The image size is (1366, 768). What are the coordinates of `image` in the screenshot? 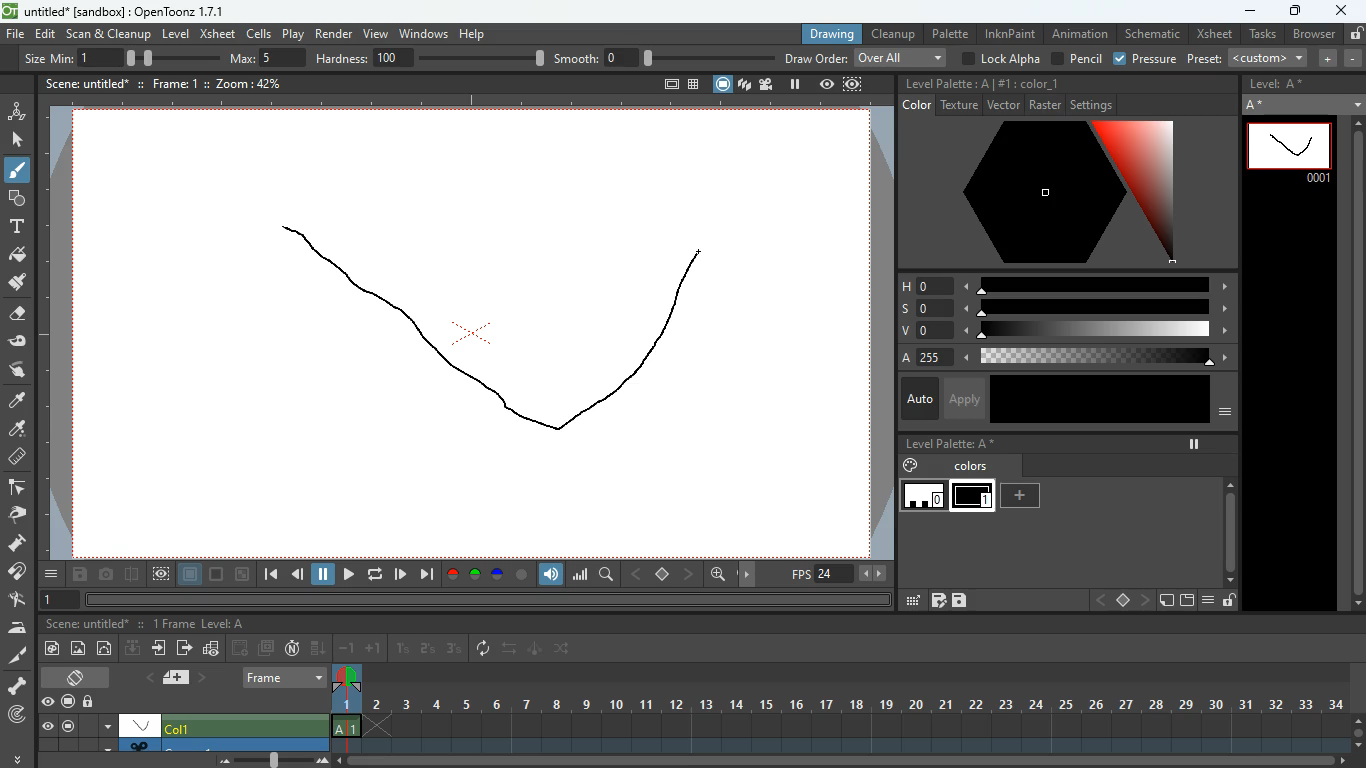 It's located at (79, 649).